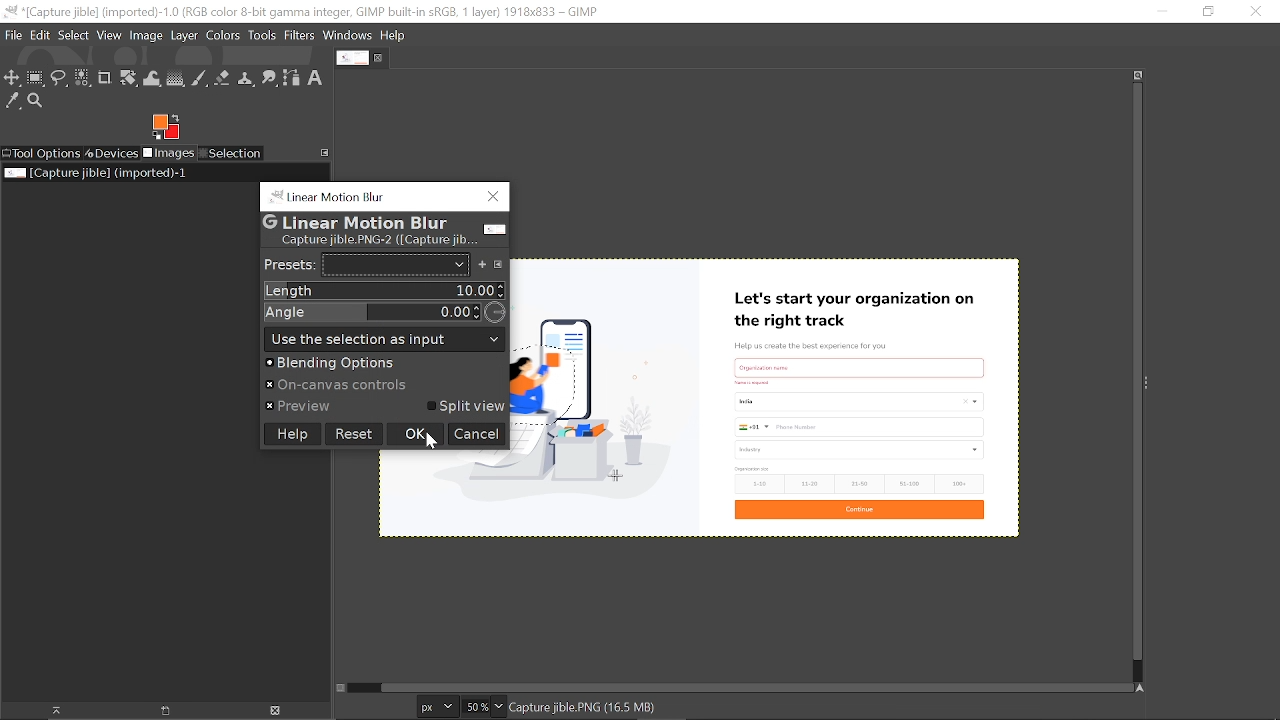 This screenshot has height=720, width=1280. I want to click on Colors, so click(222, 37).